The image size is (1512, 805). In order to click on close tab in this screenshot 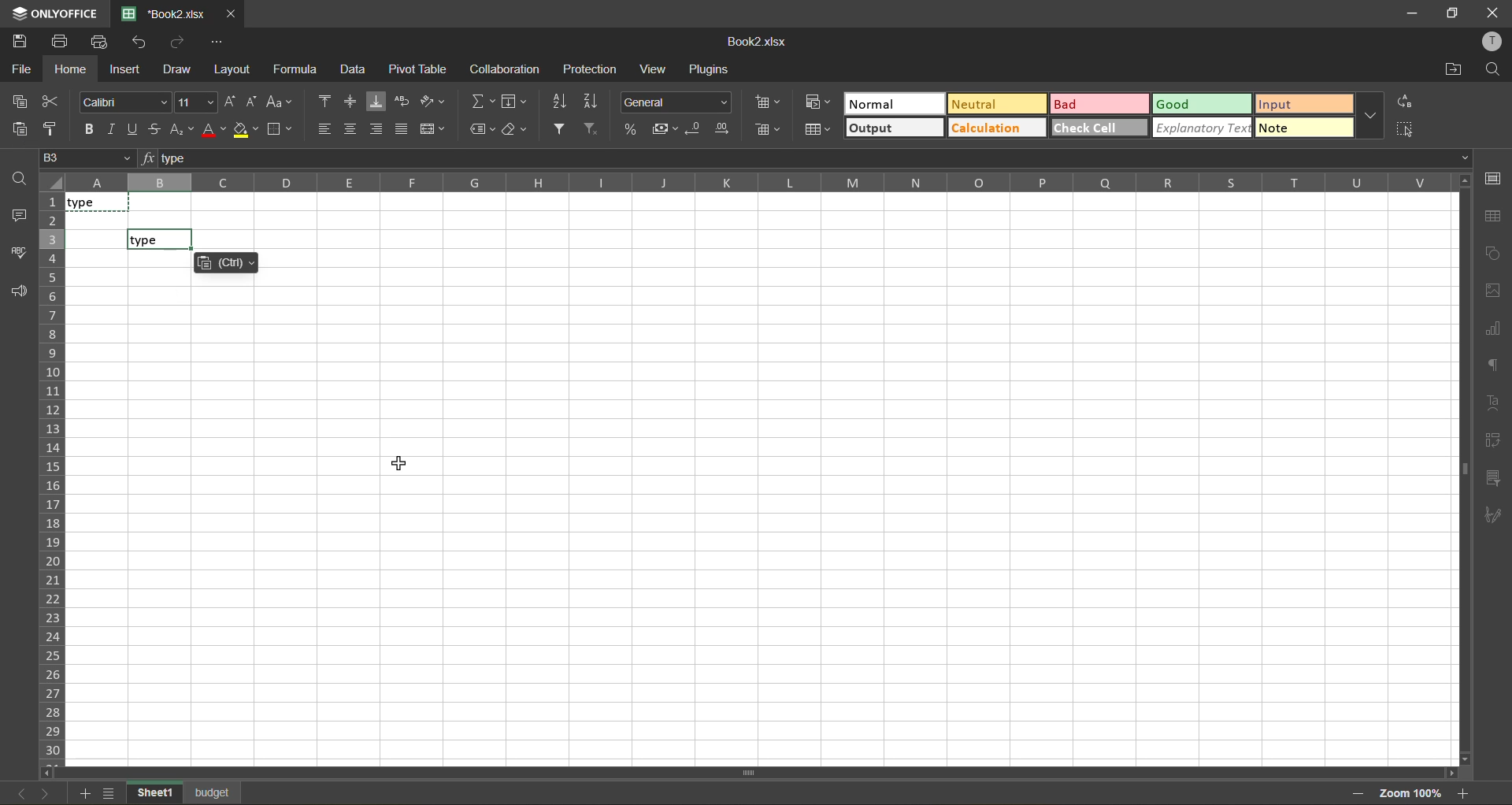, I will do `click(228, 15)`.